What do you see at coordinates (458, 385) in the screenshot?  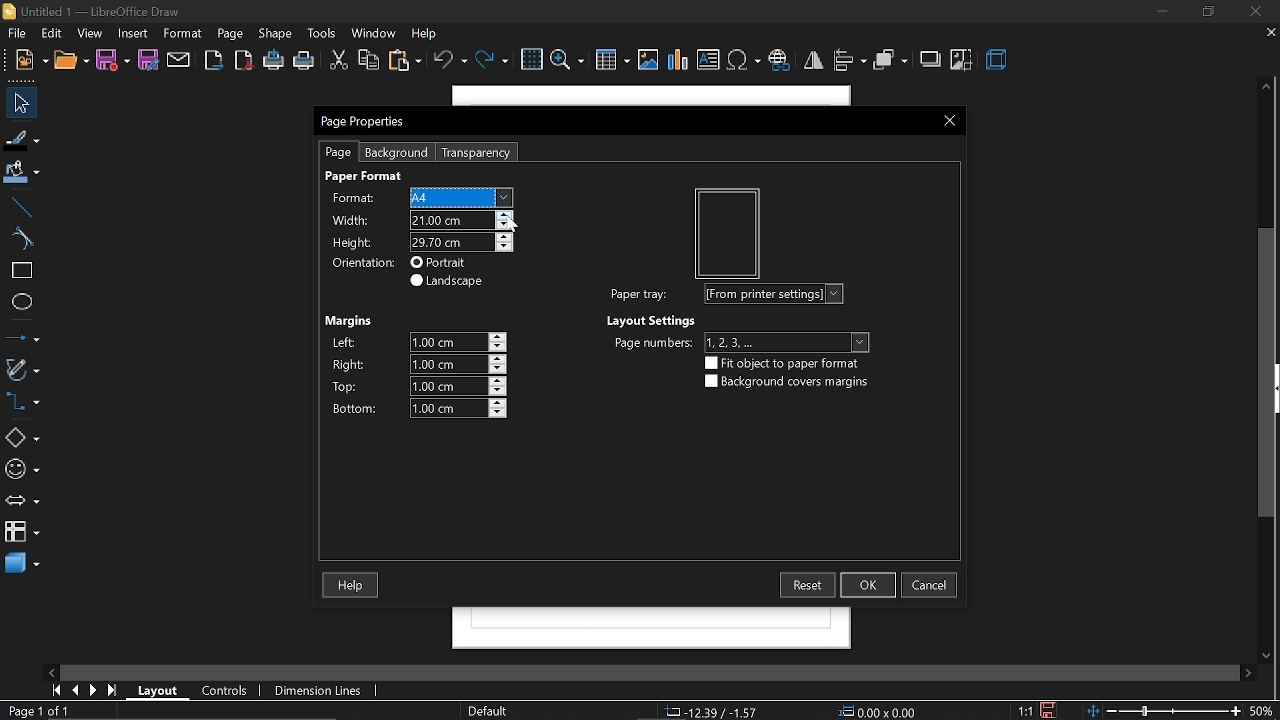 I see `1.00cm` at bounding box center [458, 385].